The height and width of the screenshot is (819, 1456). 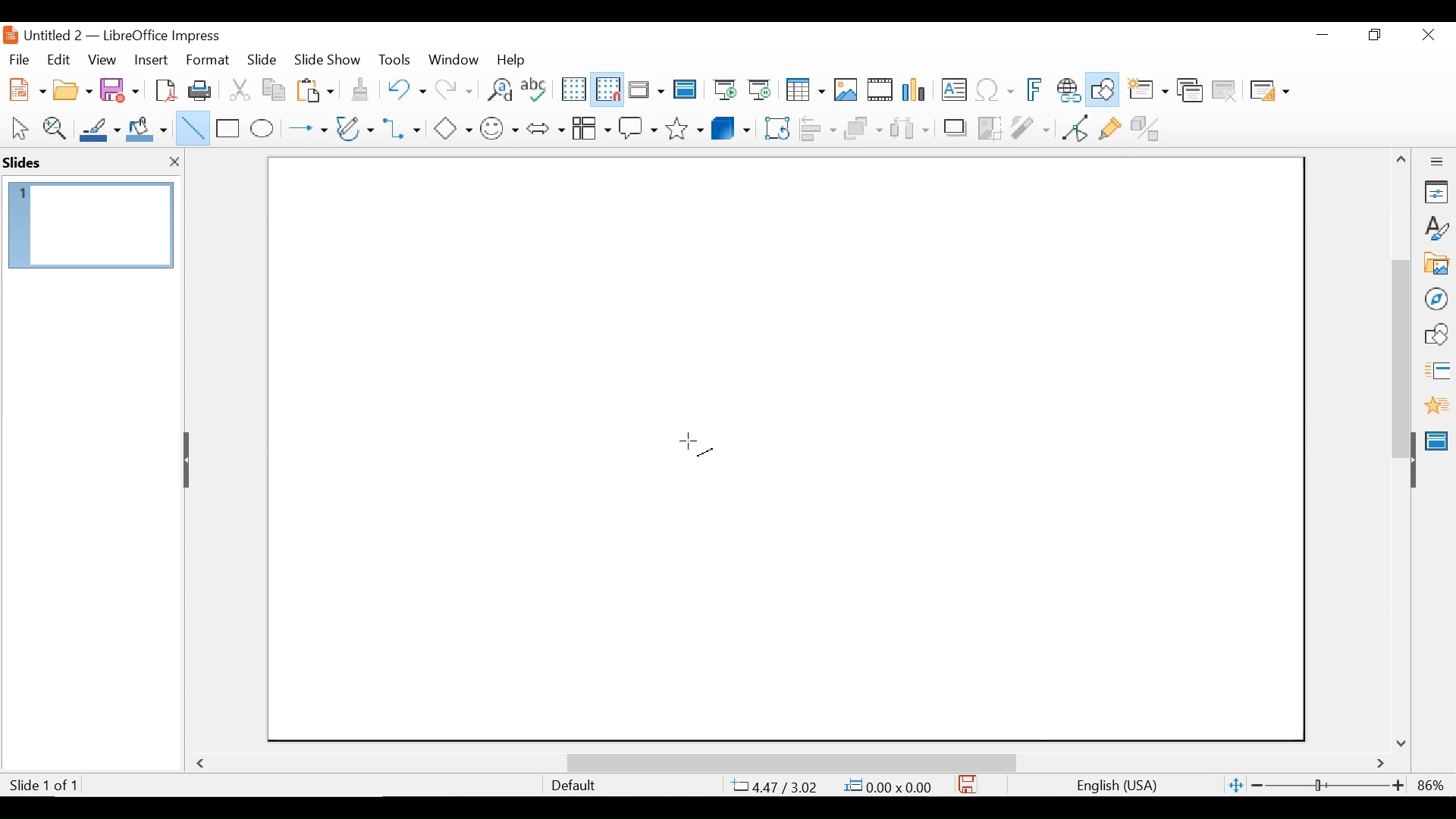 I want to click on Stars and Banners, so click(x=686, y=126).